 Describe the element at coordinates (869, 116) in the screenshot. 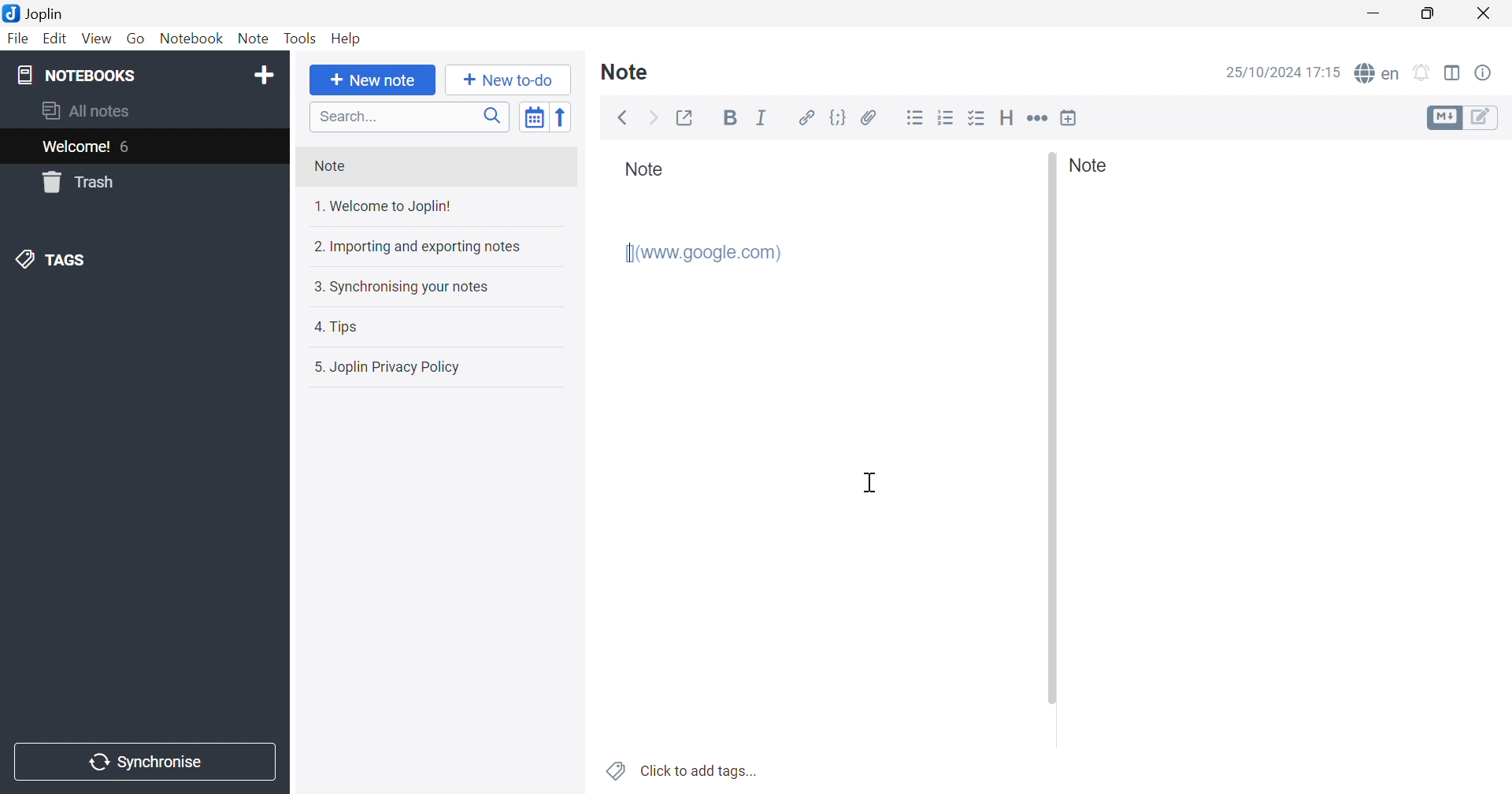

I see `Attach file` at that location.